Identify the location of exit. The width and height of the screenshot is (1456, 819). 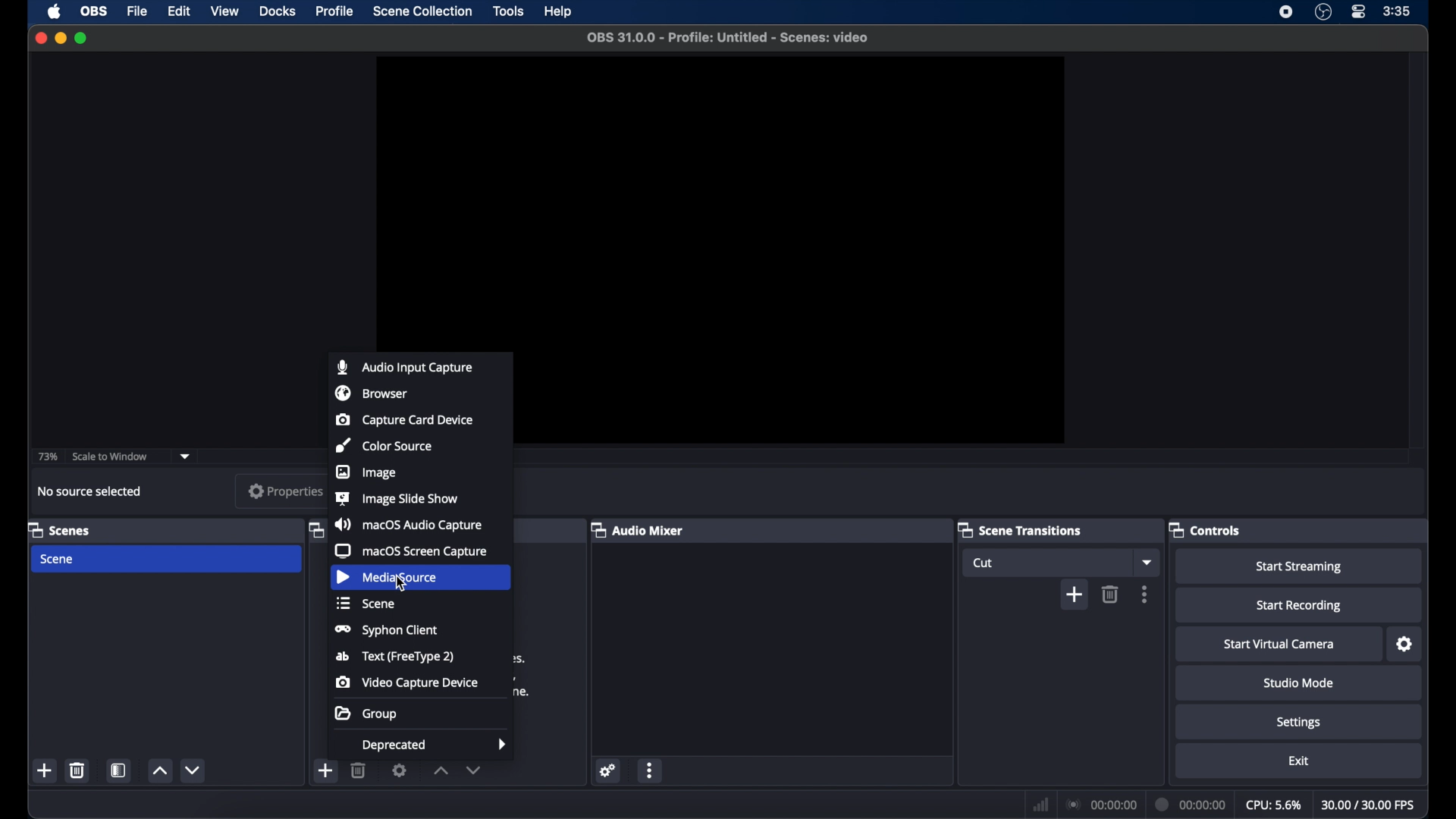
(1298, 760).